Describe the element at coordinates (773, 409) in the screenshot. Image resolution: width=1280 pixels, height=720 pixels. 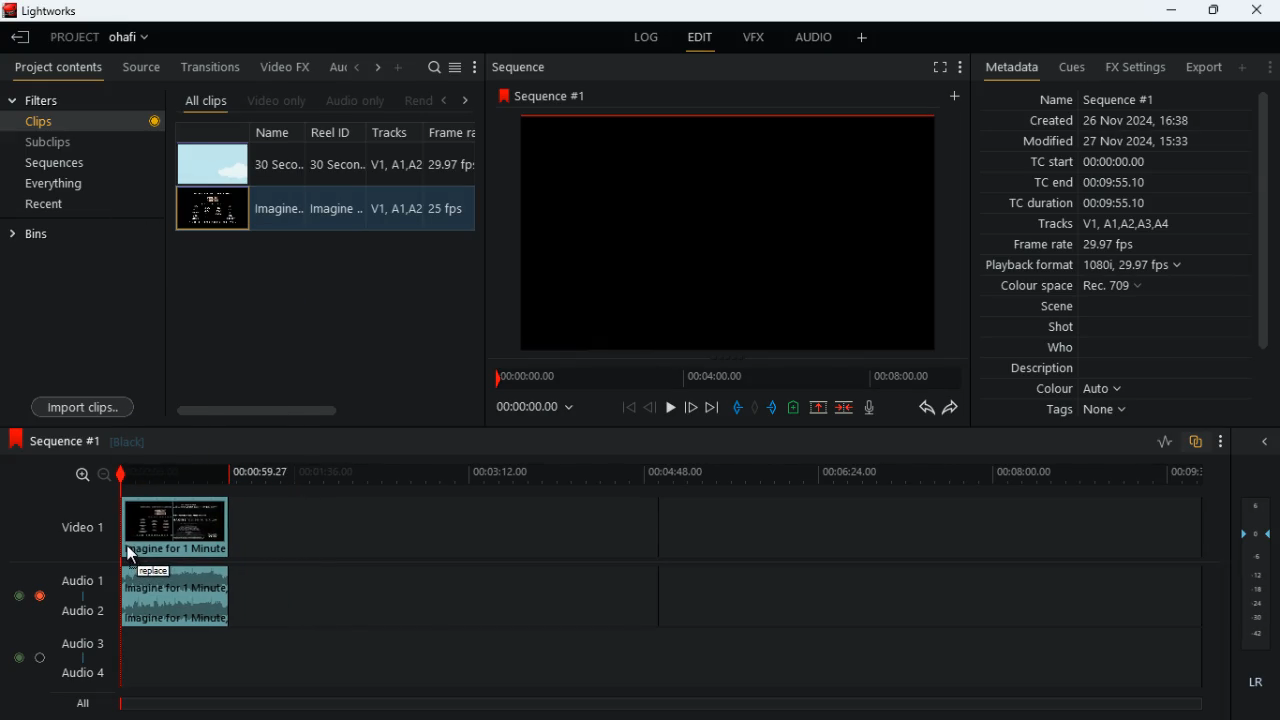
I see `push` at that location.